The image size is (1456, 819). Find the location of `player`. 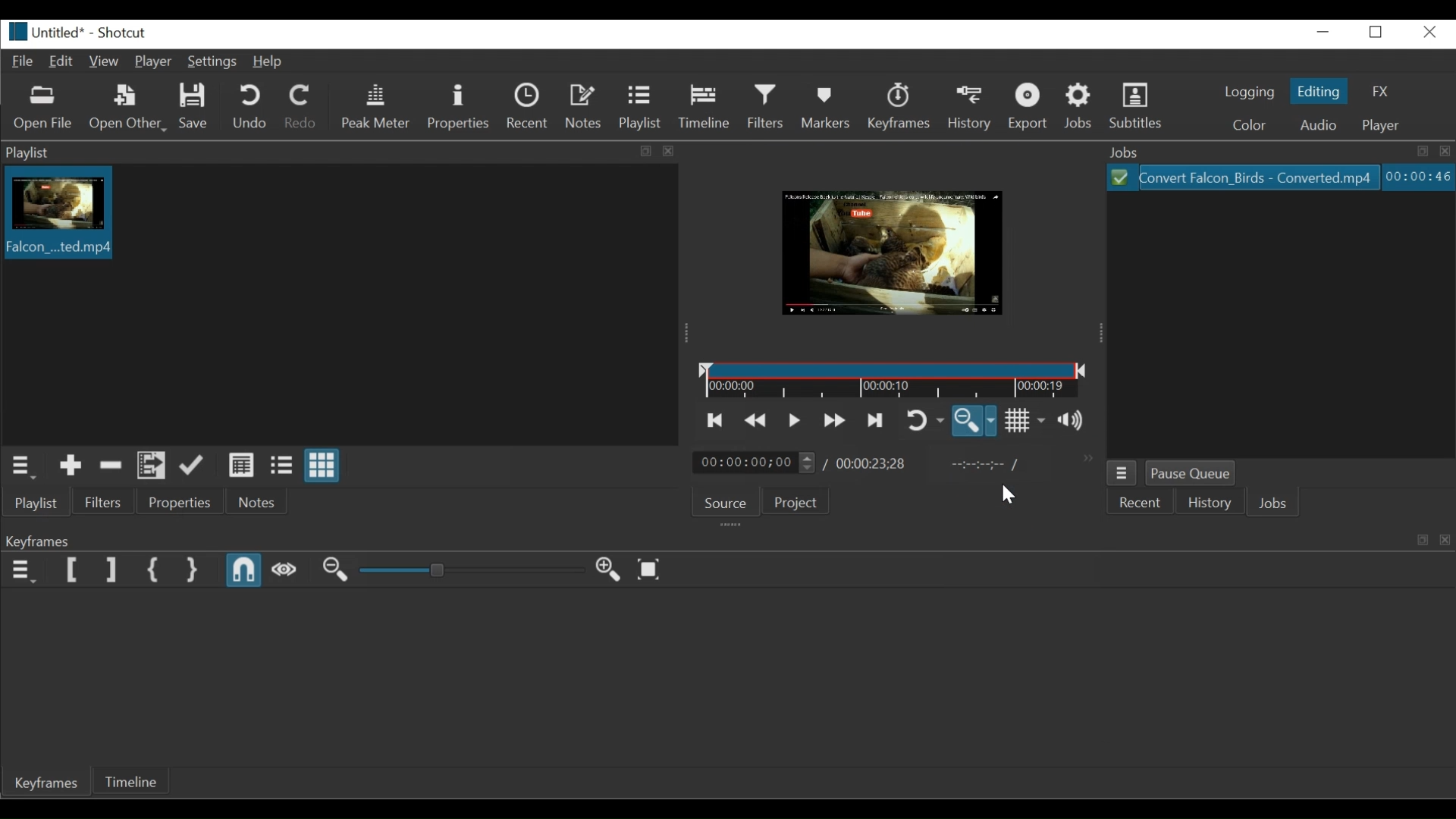

player is located at coordinates (1379, 125).